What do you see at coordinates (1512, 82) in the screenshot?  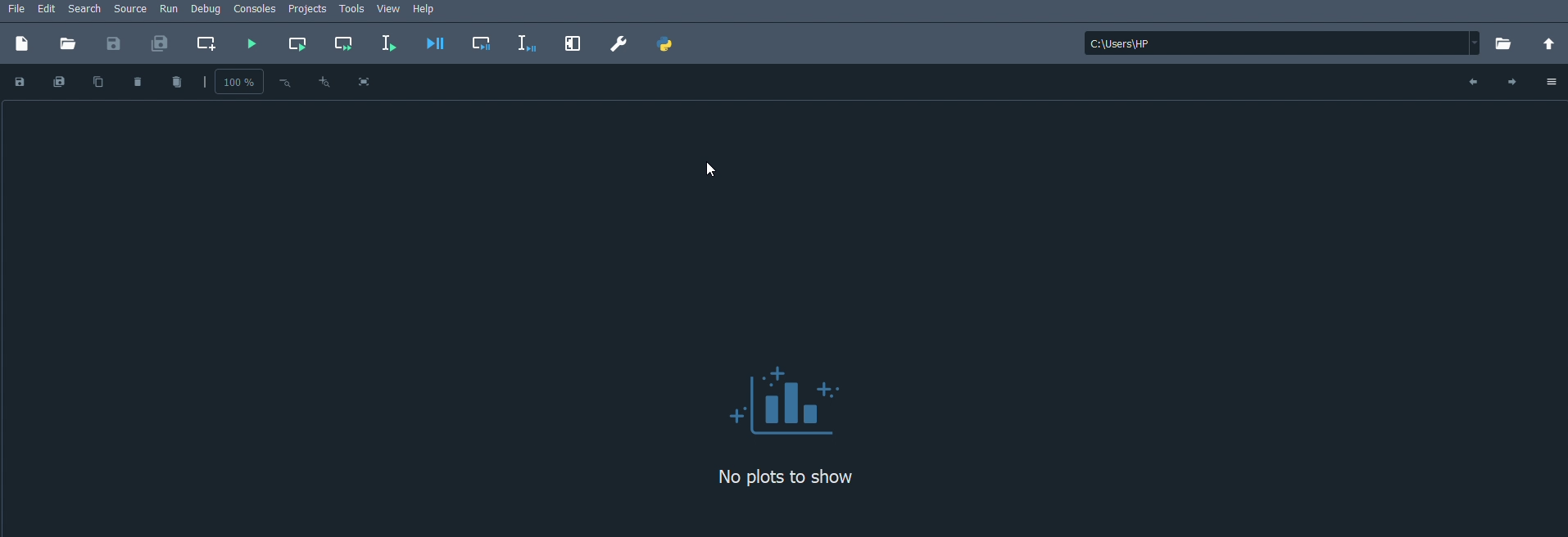 I see `move right` at bounding box center [1512, 82].